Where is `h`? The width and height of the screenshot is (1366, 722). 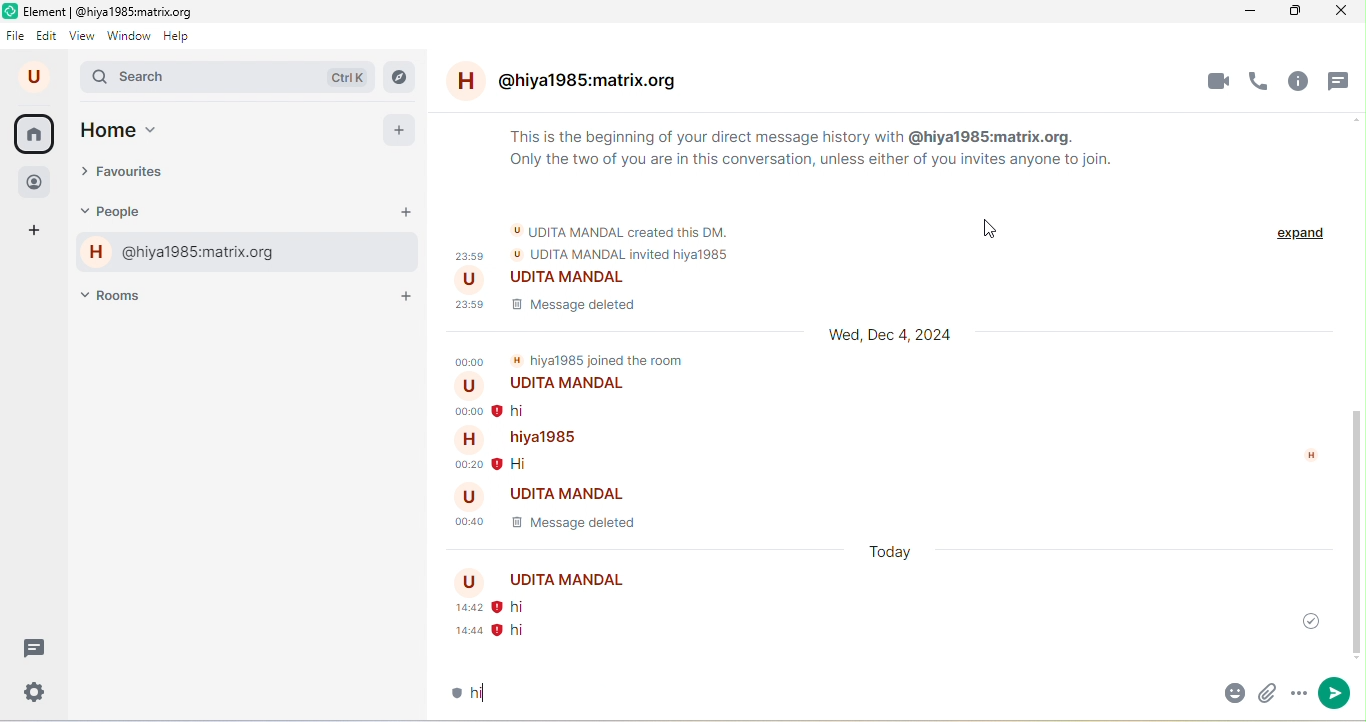 h is located at coordinates (1305, 456).